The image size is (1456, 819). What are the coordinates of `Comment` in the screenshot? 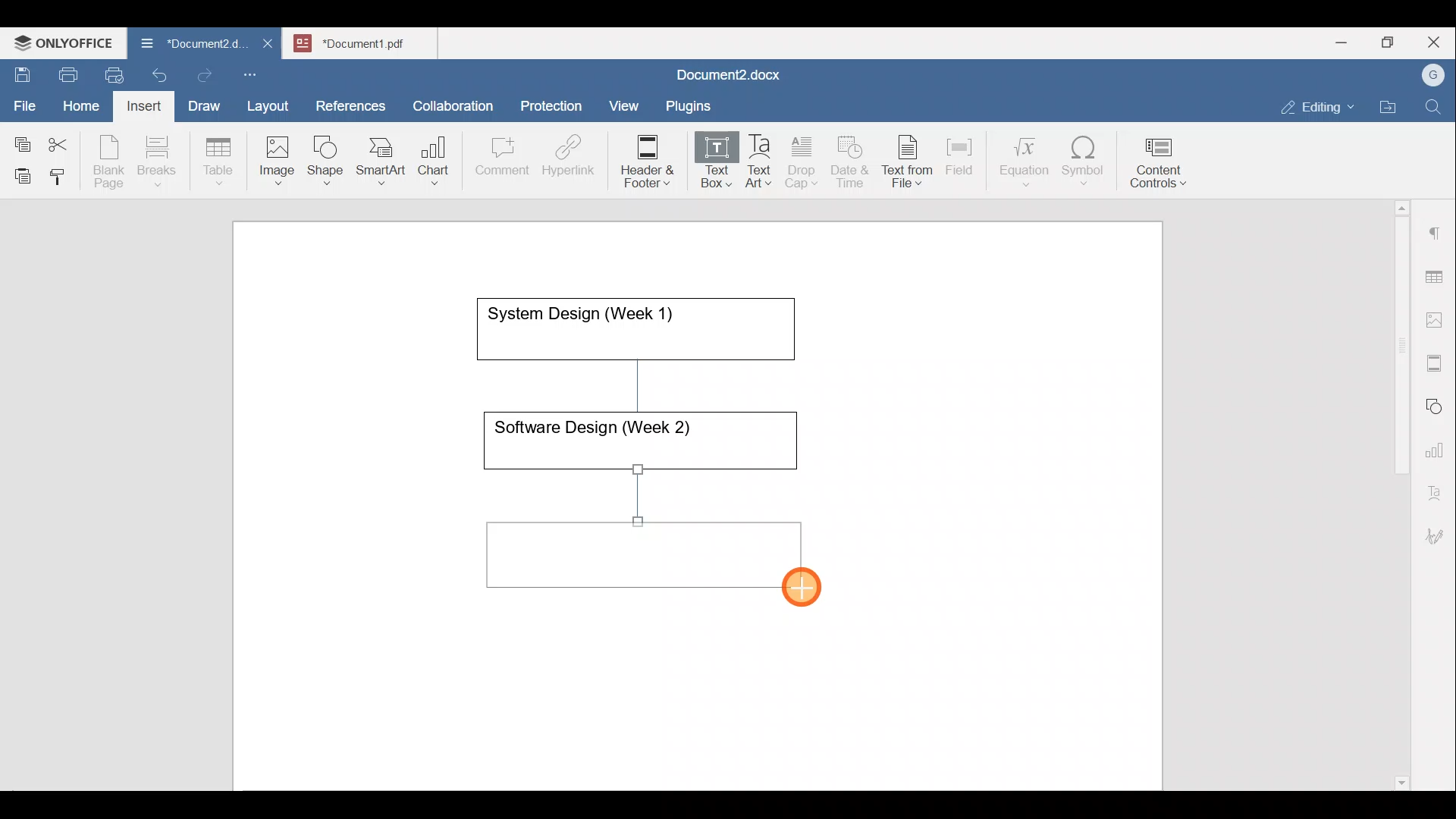 It's located at (497, 160).